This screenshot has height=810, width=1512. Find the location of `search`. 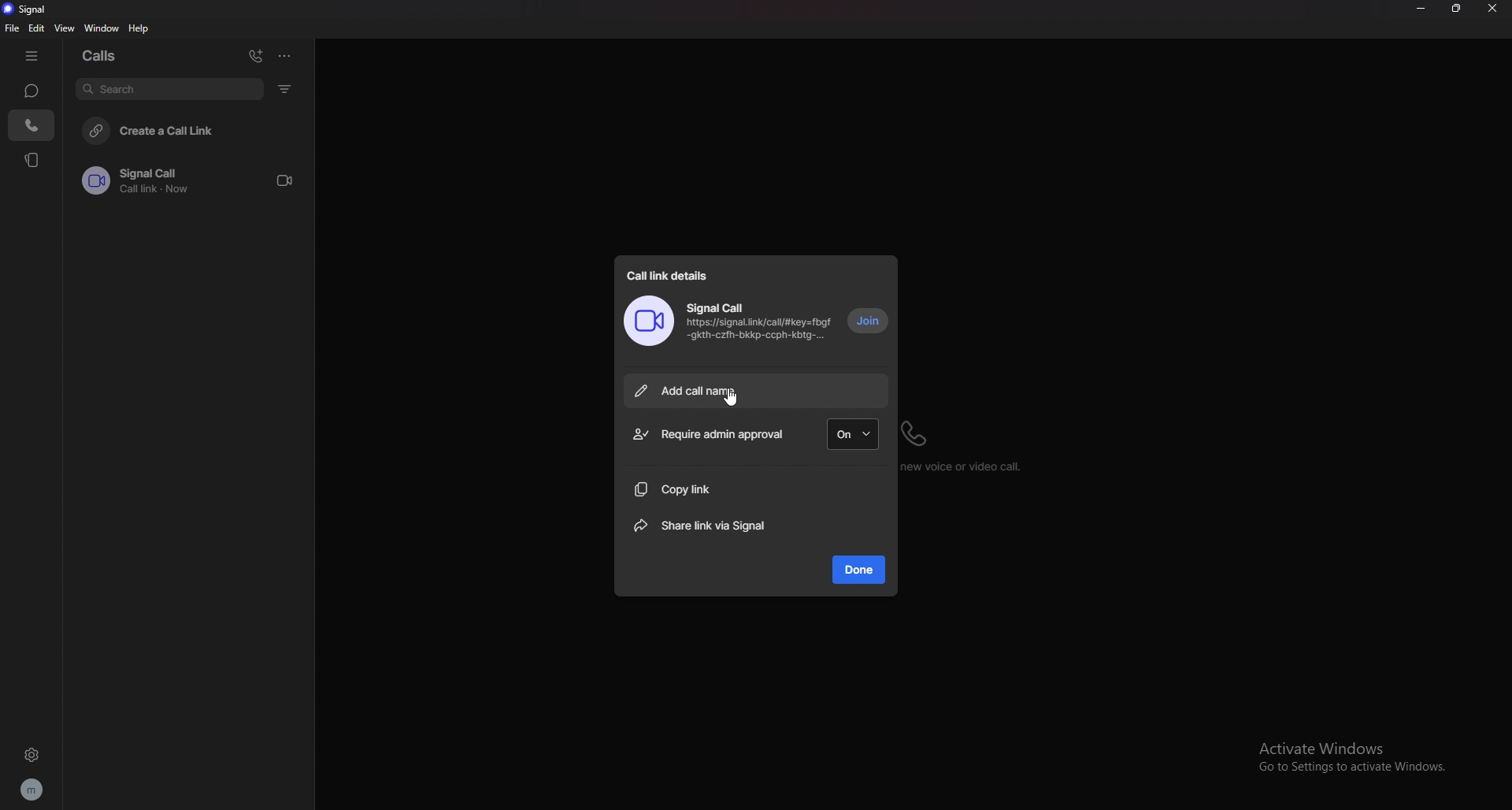

search is located at coordinates (169, 88).